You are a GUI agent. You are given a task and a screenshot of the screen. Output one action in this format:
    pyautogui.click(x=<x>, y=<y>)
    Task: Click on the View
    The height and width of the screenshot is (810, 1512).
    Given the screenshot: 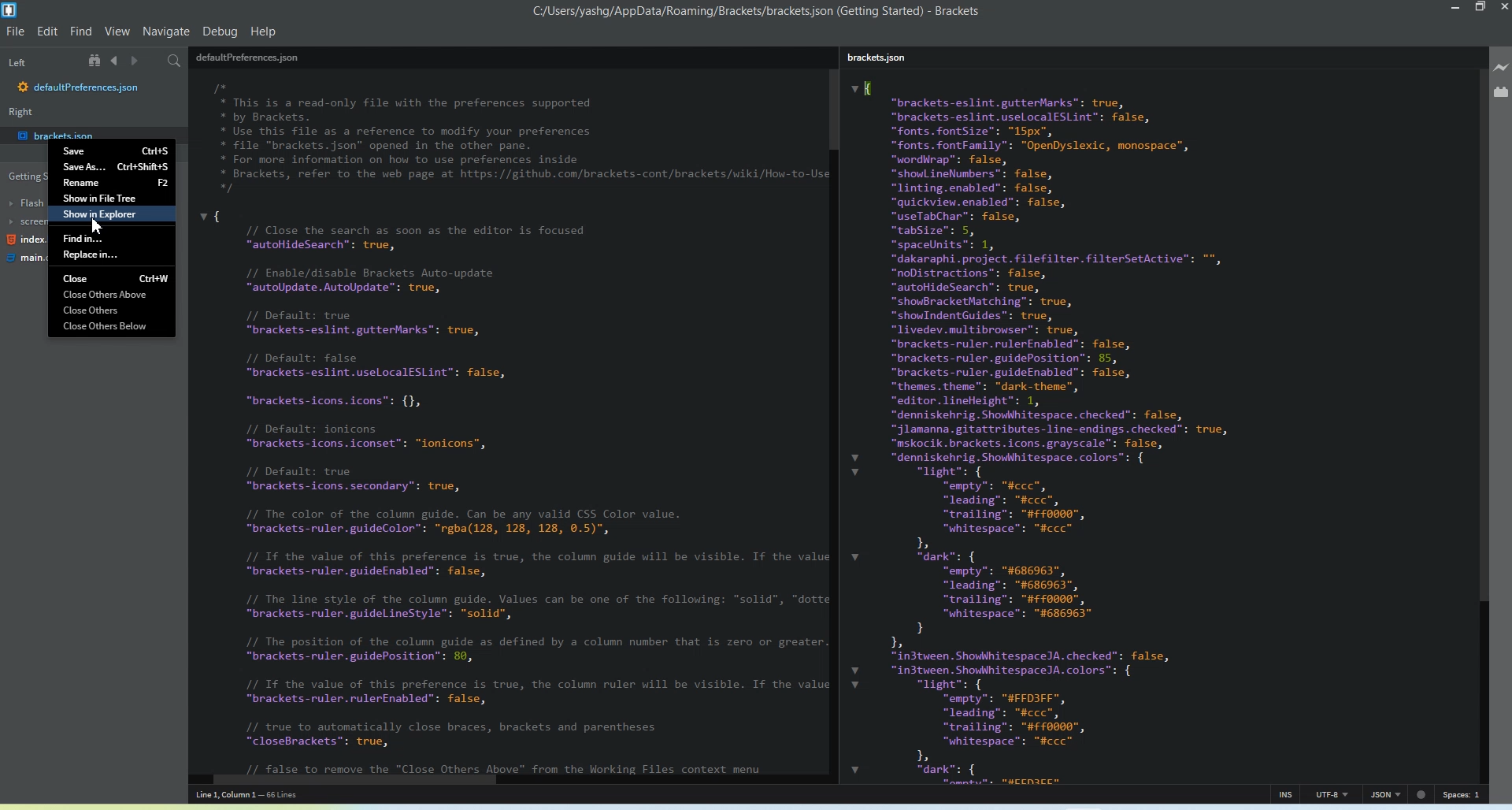 What is the action you would take?
    pyautogui.click(x=117, y=32)
    